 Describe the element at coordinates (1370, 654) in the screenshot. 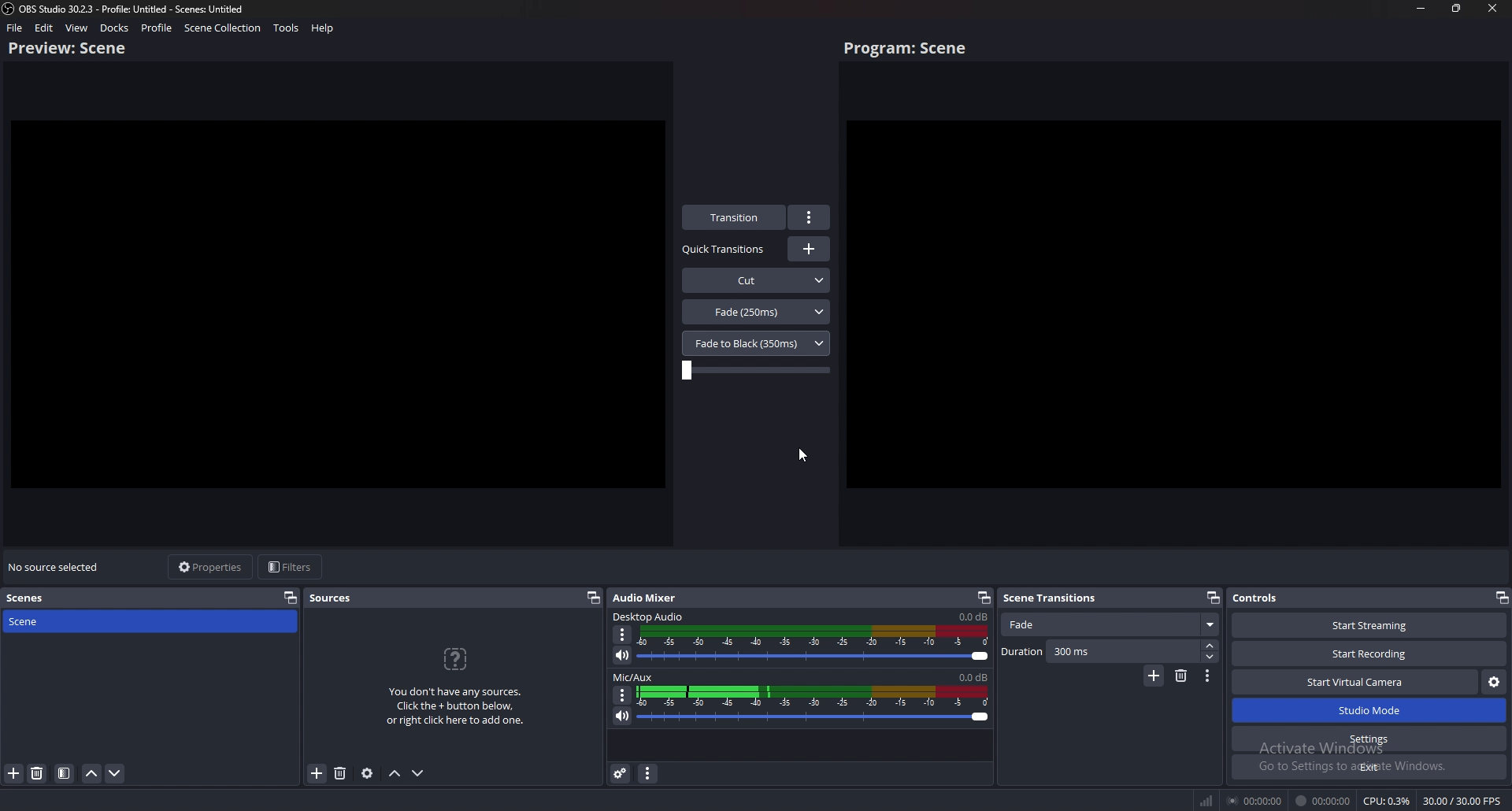

I see `Start recording` at that location.